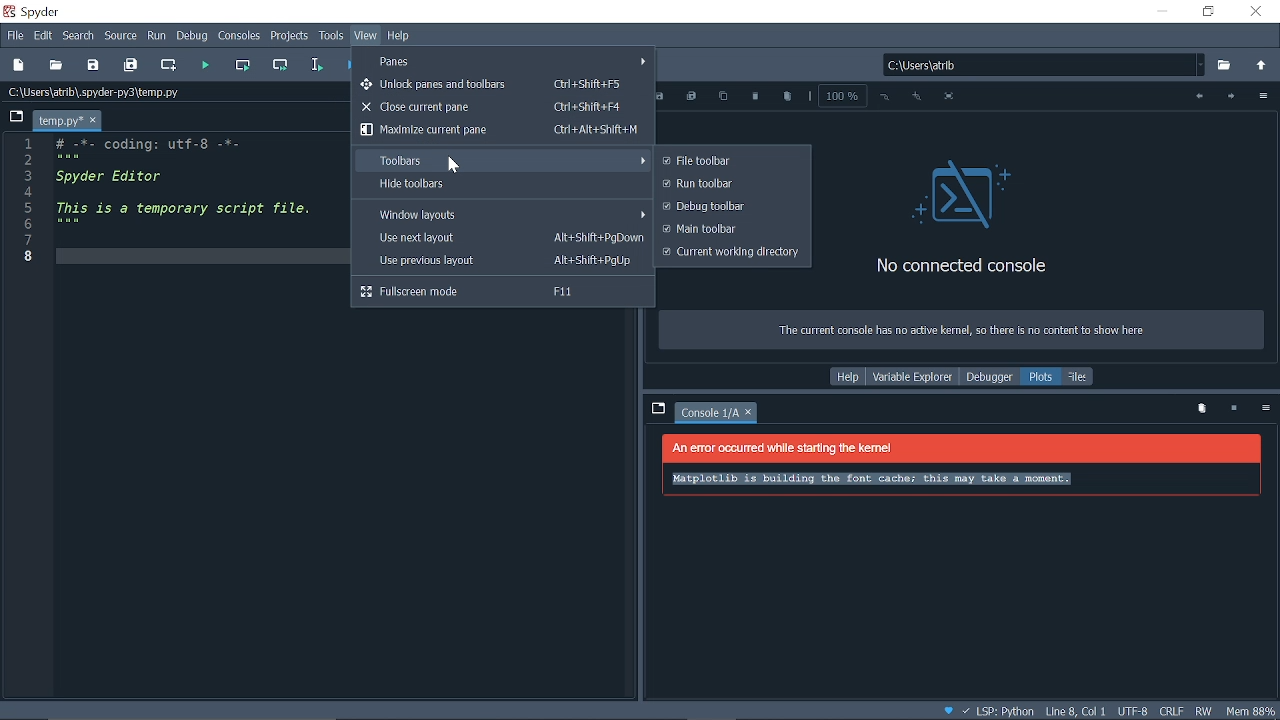 Image resolution: width=1280 pixels, height=720 pixels. What do you see at coordinates (332, 37) in the screenshot?
I see `Tools` at bounding box center [332, 37].